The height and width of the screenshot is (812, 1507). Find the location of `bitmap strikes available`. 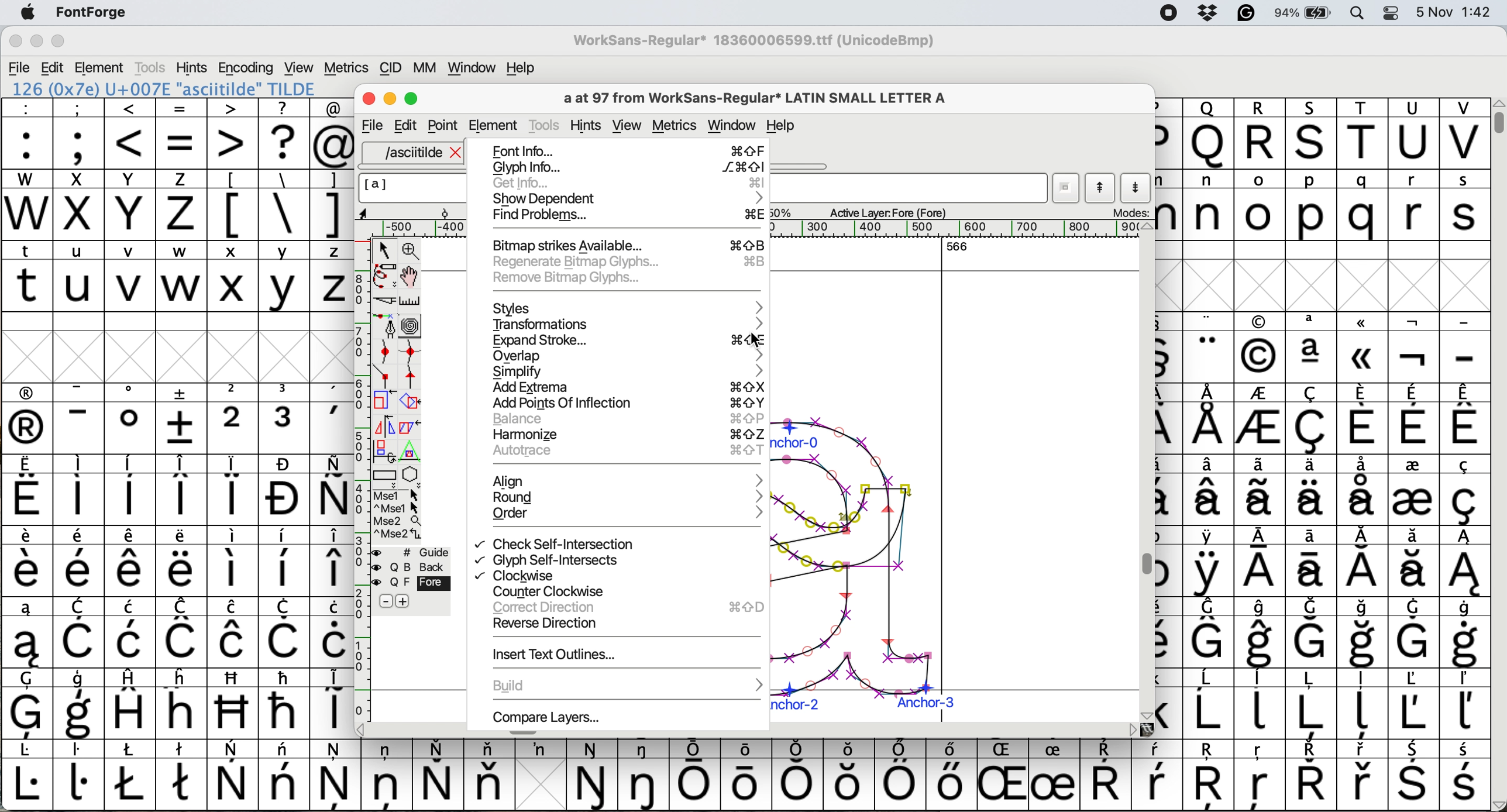

bitmap strikes available is located at coordinates (628, 245).